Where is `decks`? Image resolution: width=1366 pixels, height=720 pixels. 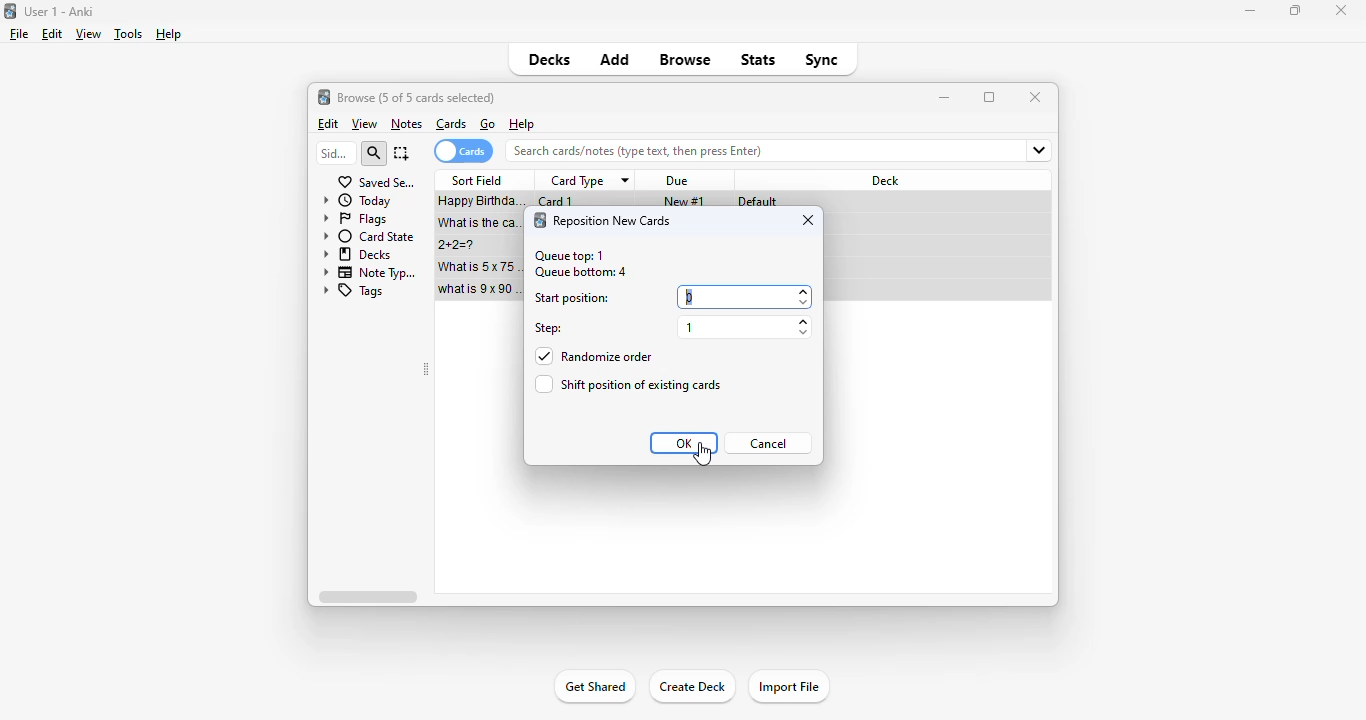
decks is located at coordinates (358, 254).